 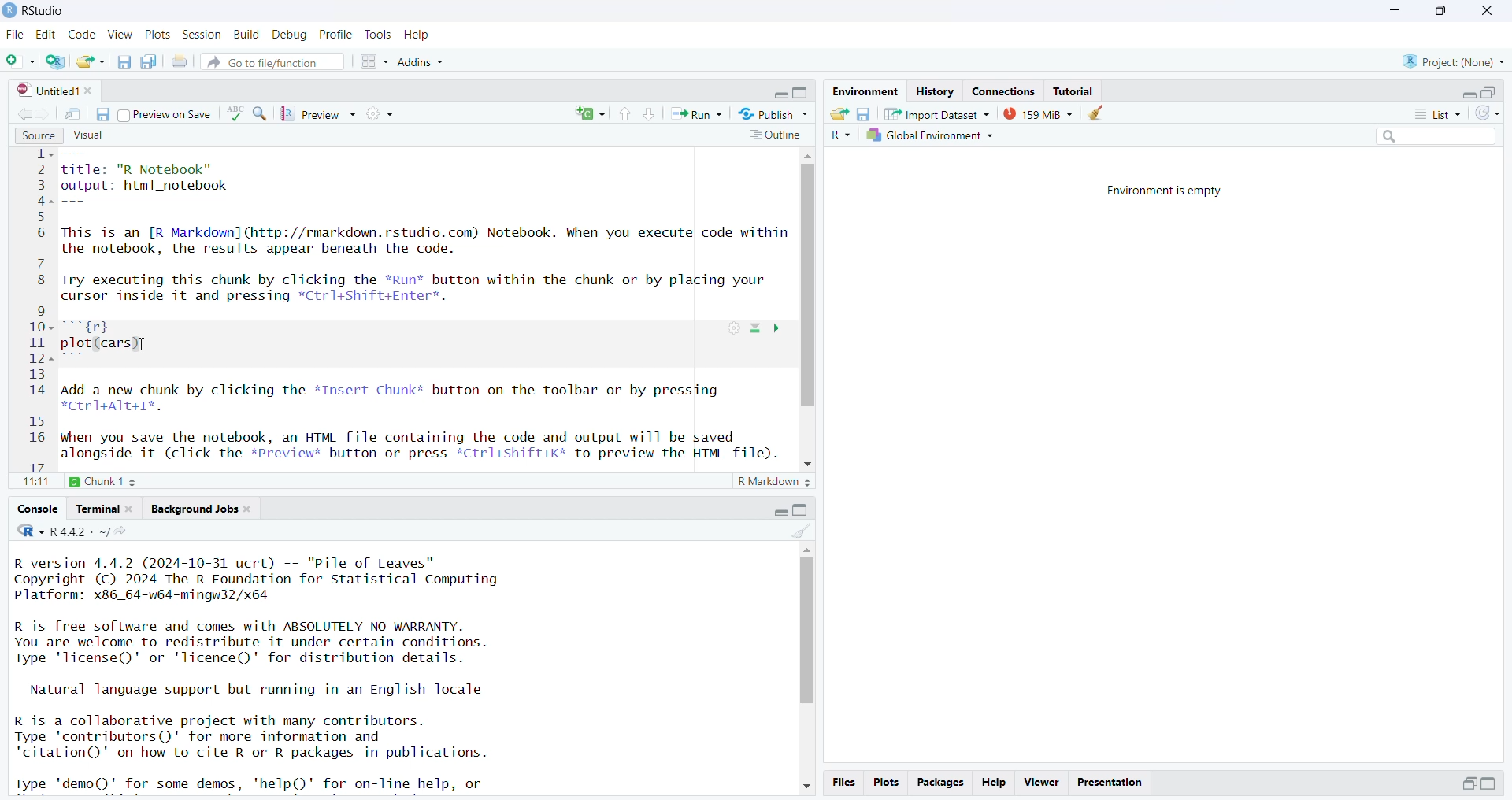 I want to click on create a project, so click(x=57, y=61).